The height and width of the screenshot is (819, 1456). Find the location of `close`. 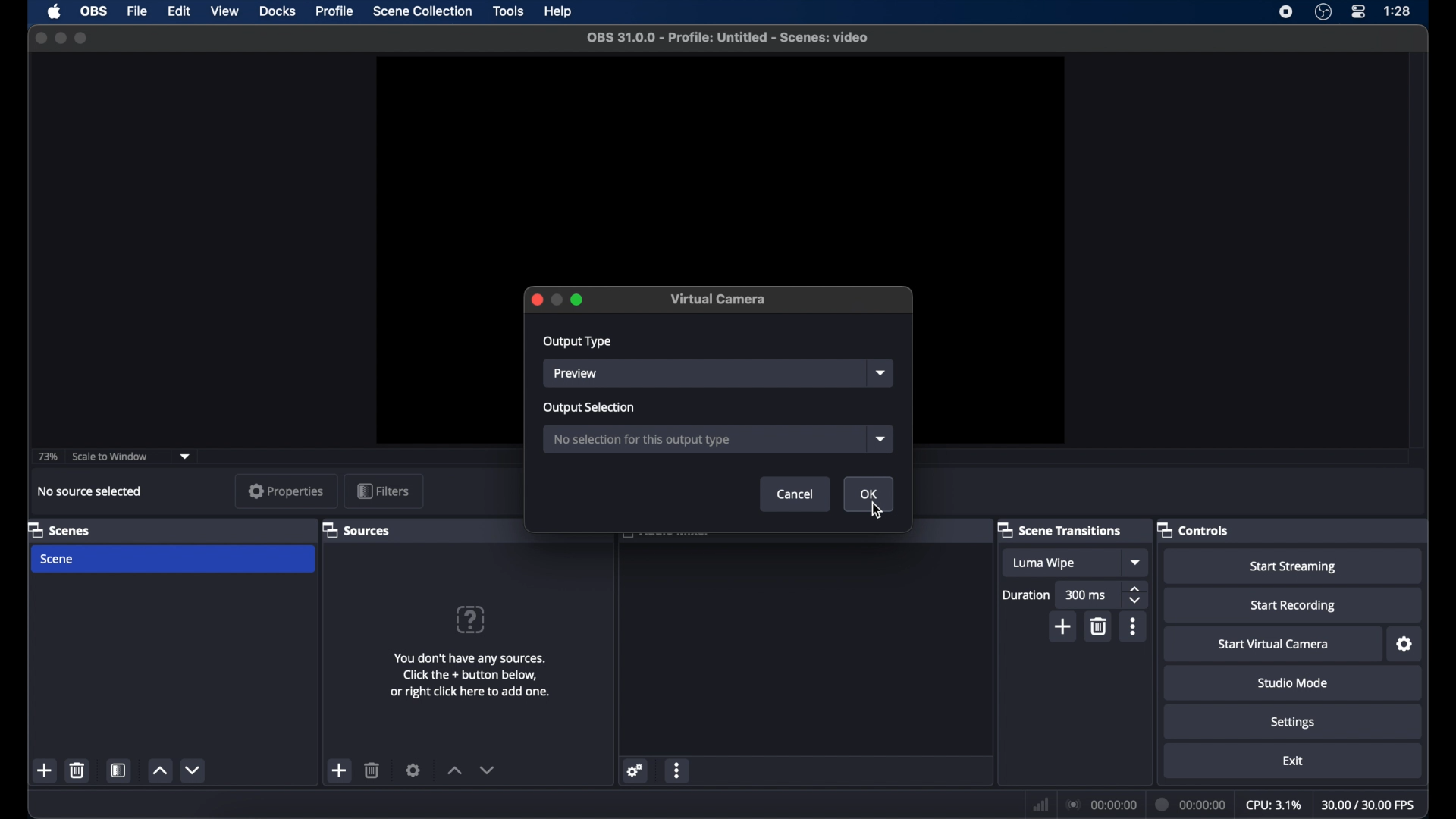

close is located at coordinates (535, 299).